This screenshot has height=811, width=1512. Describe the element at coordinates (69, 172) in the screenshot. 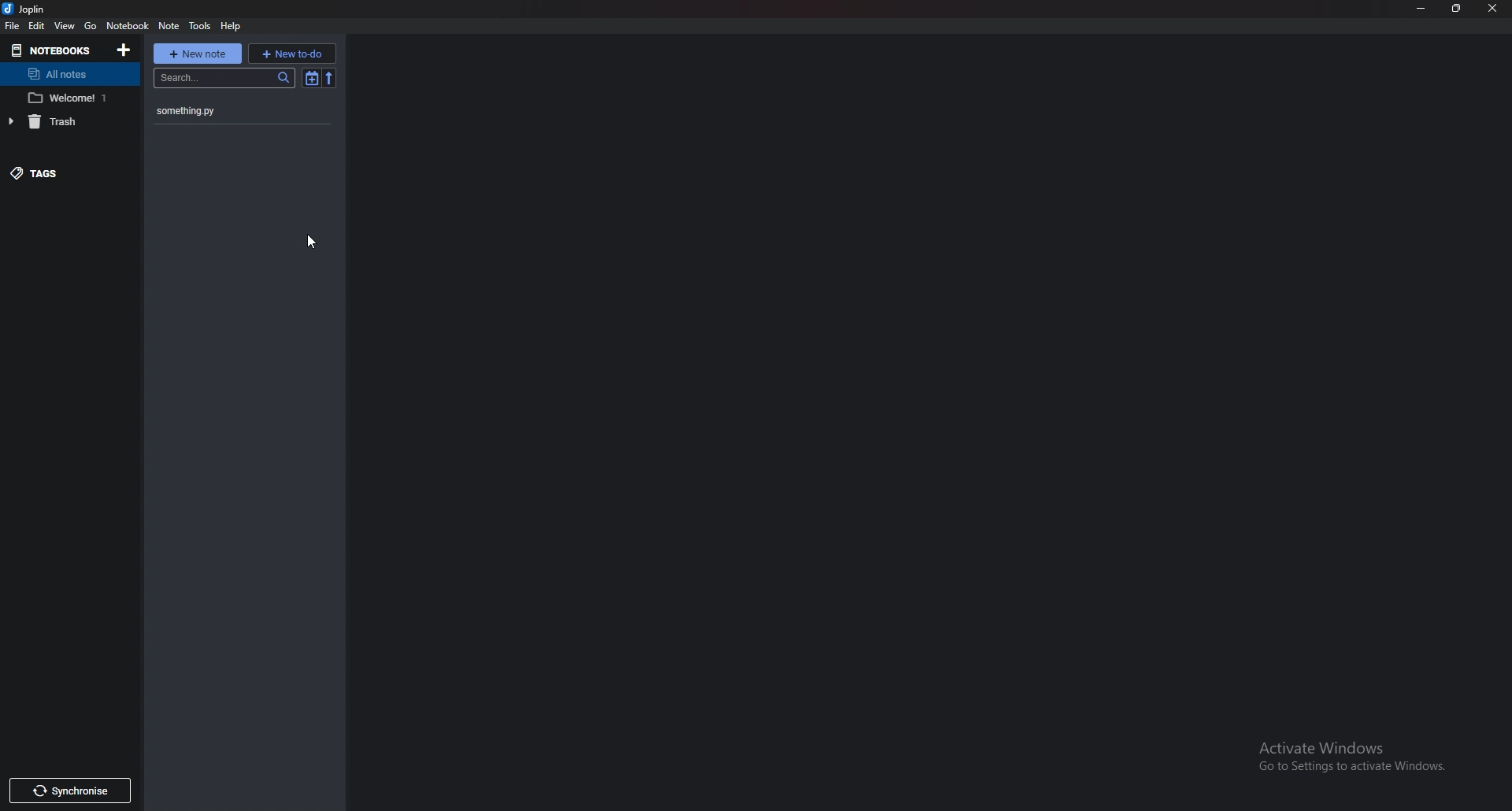

I see `Tags` at that location.